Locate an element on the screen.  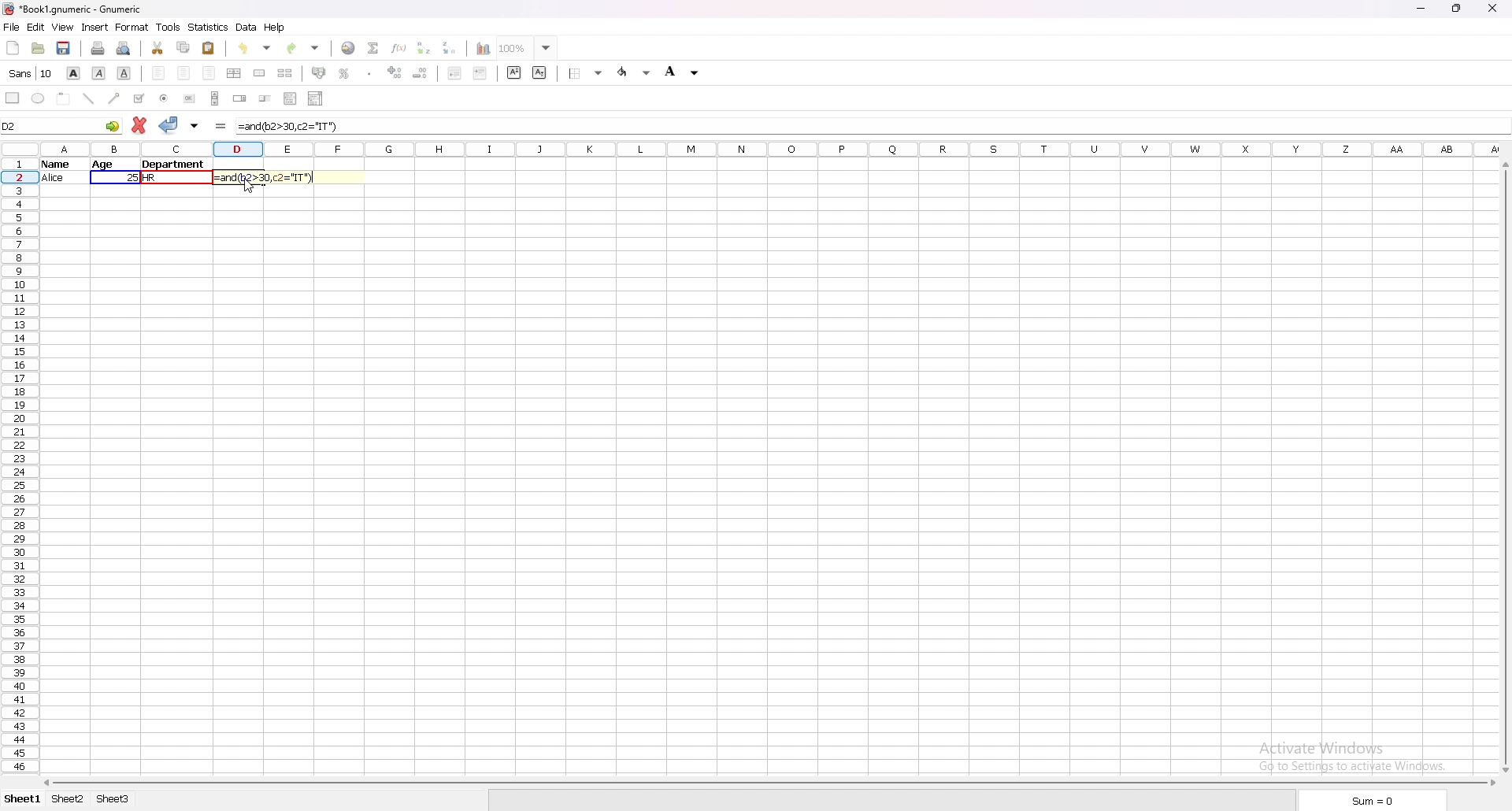
centre is located at coordinates (183, 72).